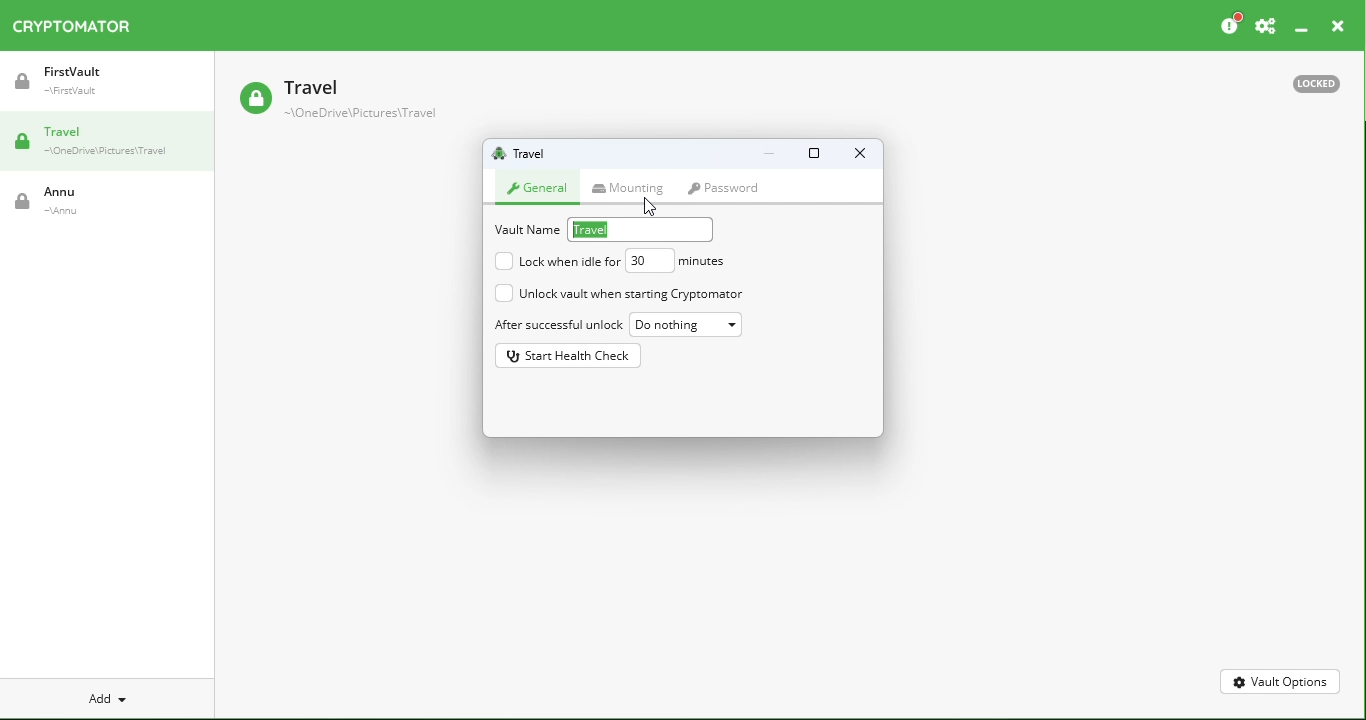 This screenshot has width=1366, height=720. I want to click on Cryptomator icon, so click(81, 27).